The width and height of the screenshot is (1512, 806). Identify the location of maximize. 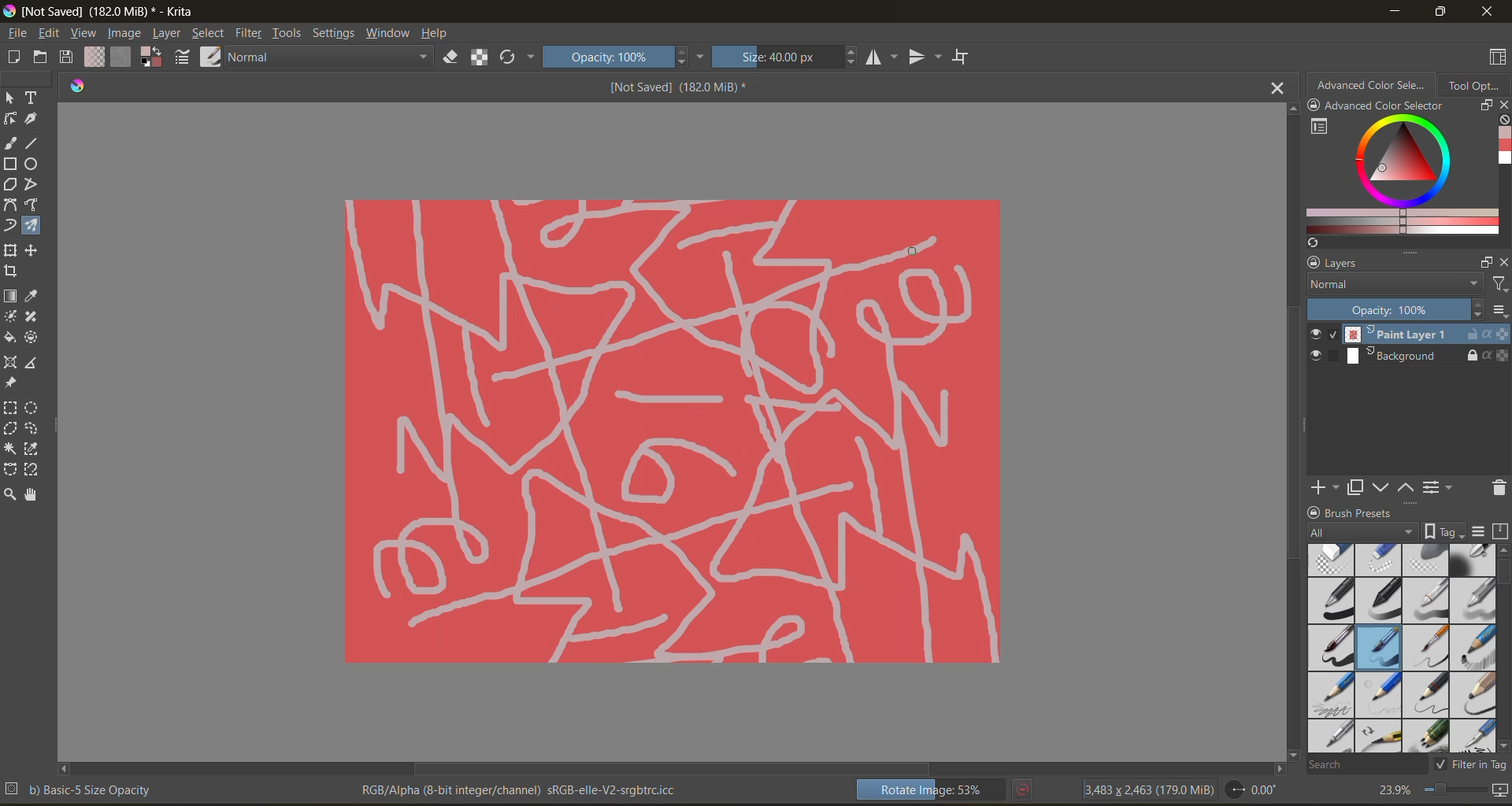
(1437, 13).